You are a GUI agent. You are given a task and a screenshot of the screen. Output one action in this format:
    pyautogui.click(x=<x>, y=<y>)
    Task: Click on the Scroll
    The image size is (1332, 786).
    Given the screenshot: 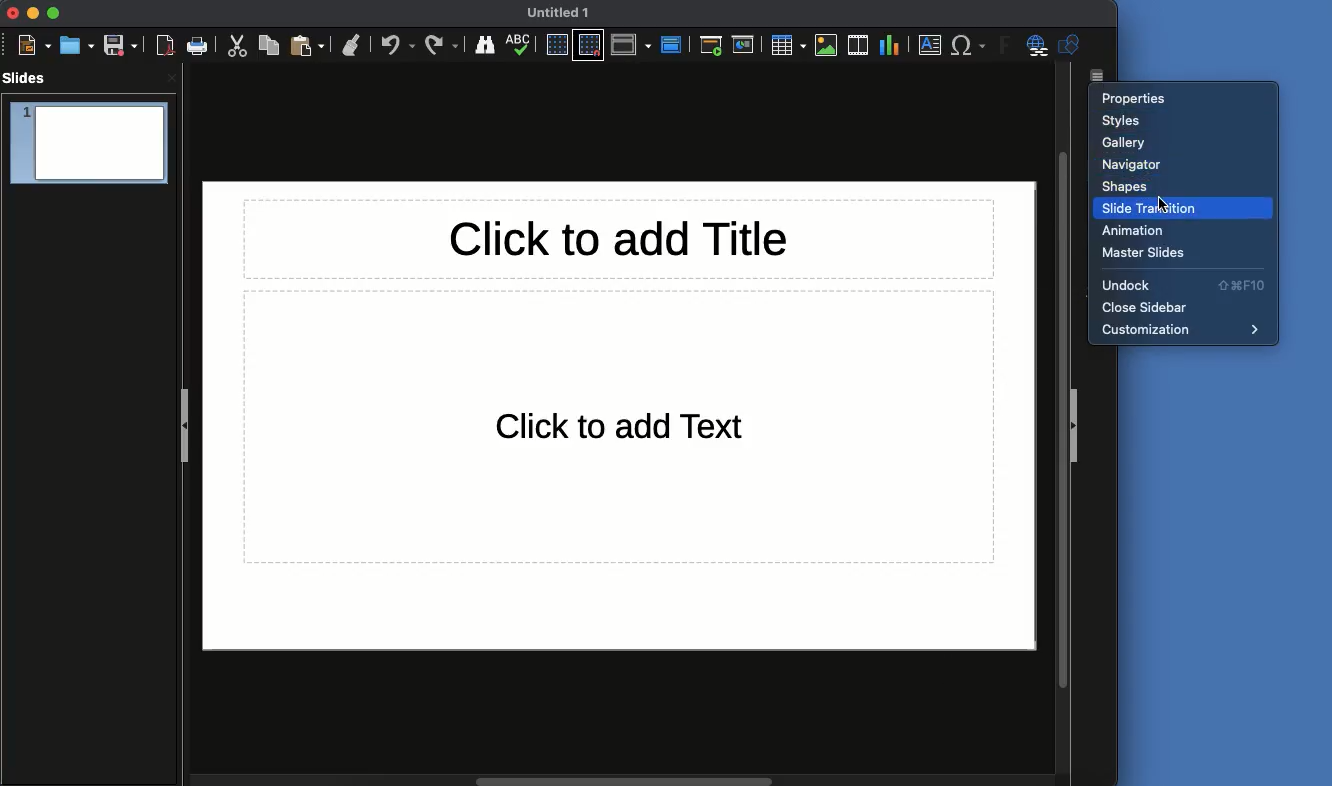 What is the action you would take?
    pyautogui.click(x=620, y=778)
    